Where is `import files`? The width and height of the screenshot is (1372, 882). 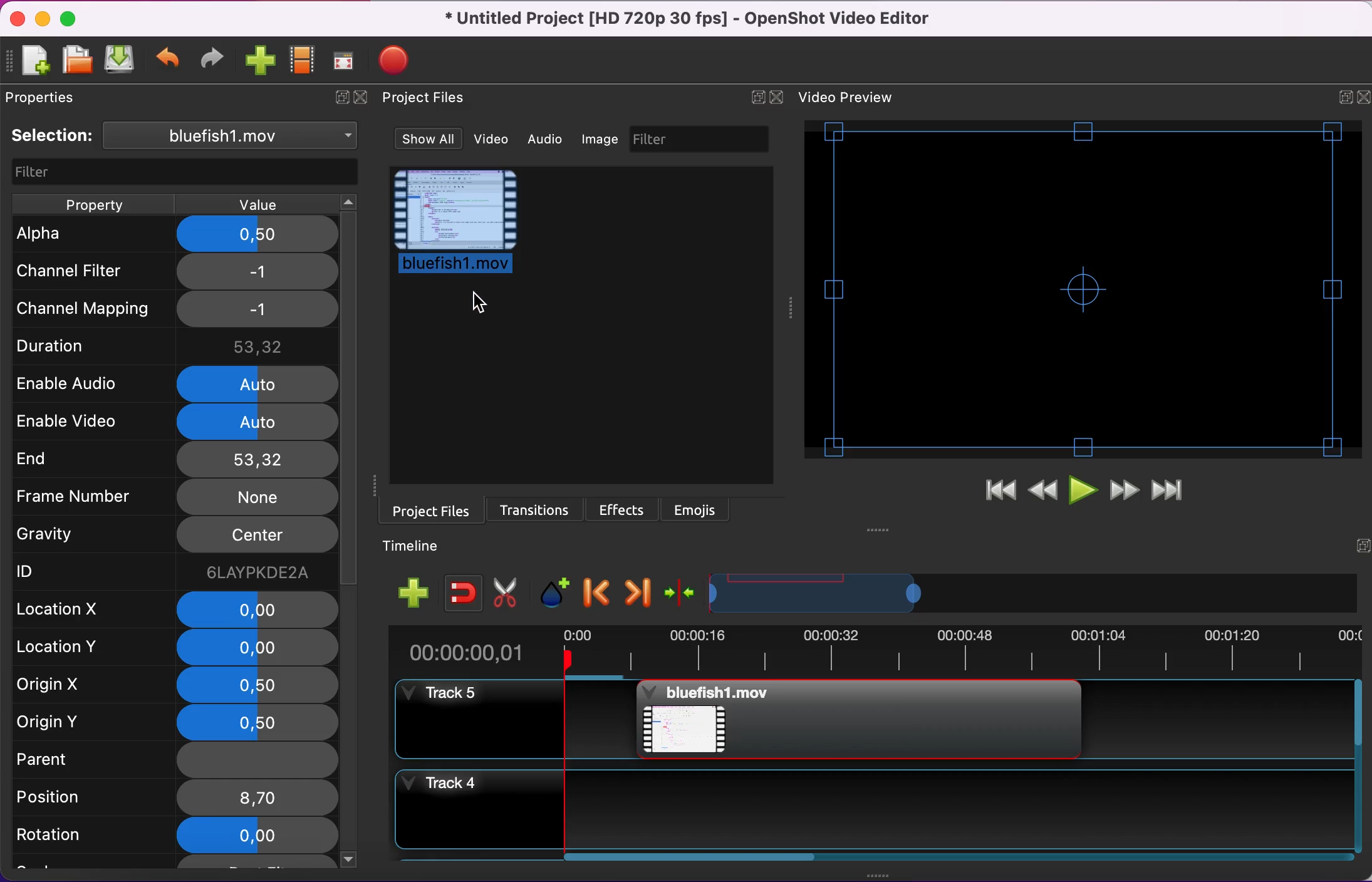
import files is located at coordinates (259, 60).